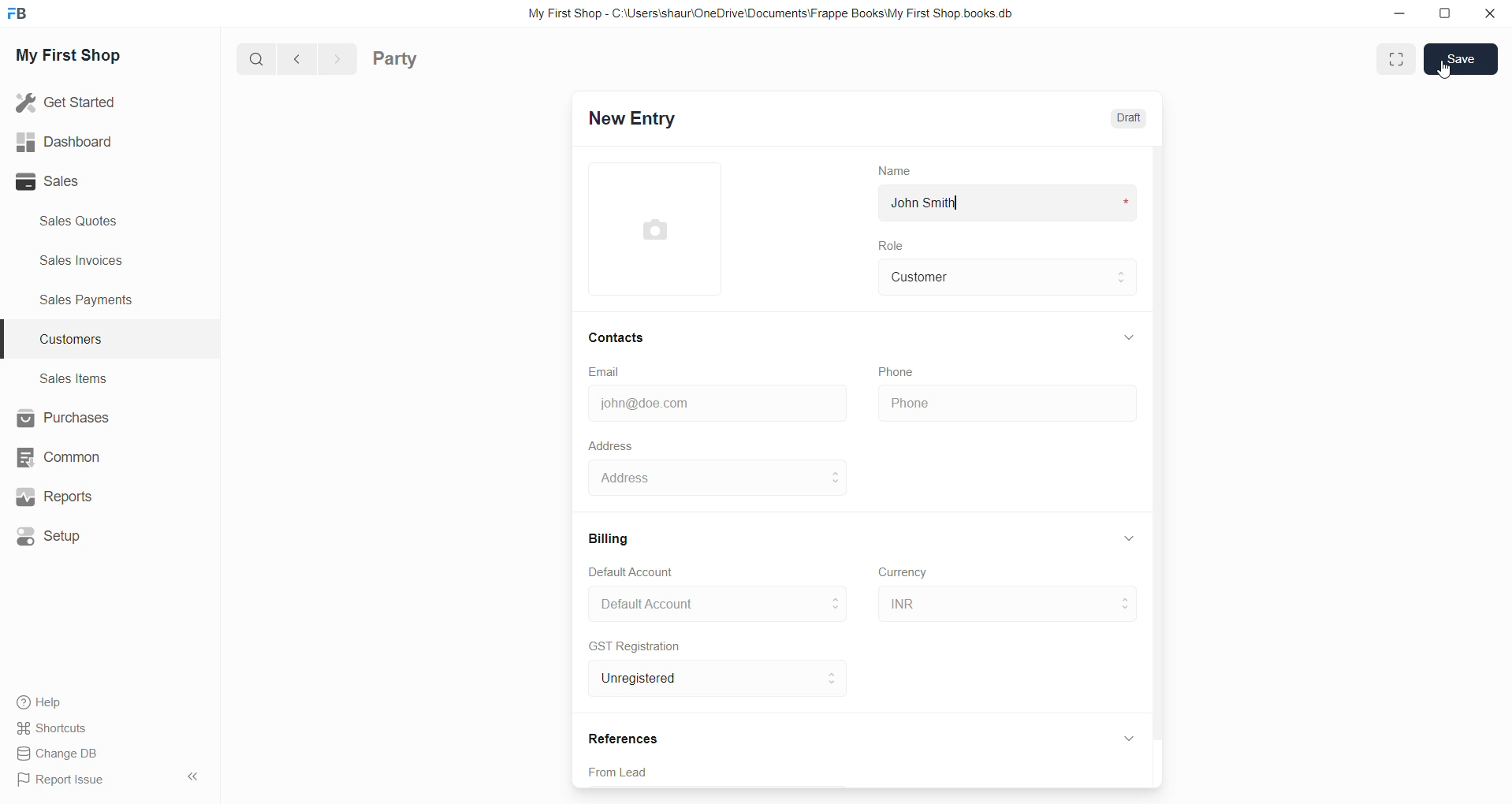 The width and height of the screenshot is (1512, 804). Describe the element at coordinates (712, 400) in the screenshot. I see `email Input box` at that location.